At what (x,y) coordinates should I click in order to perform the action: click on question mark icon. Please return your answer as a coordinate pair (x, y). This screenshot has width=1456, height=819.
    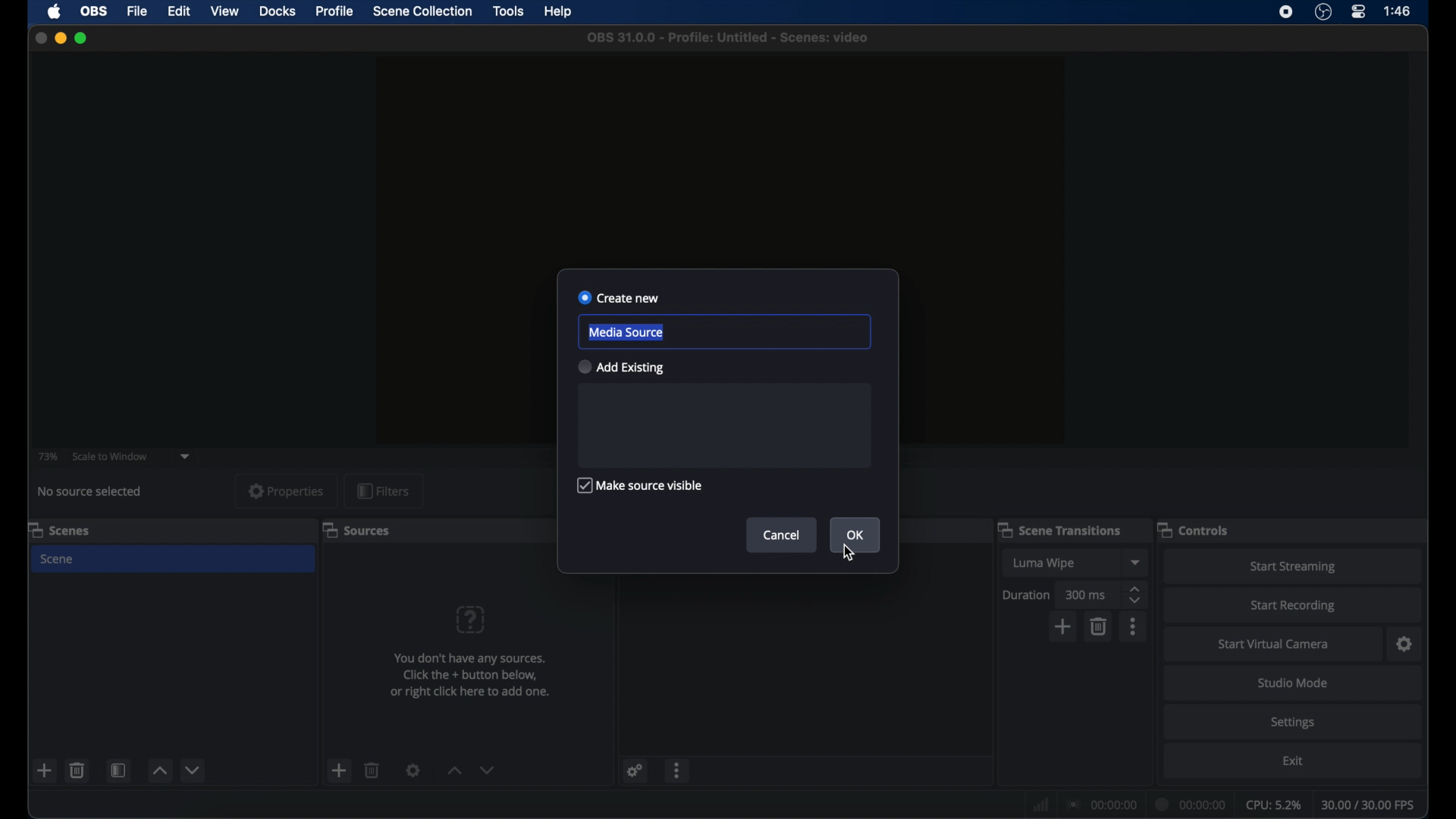
    Looking at the image, I should click on (470, 620).